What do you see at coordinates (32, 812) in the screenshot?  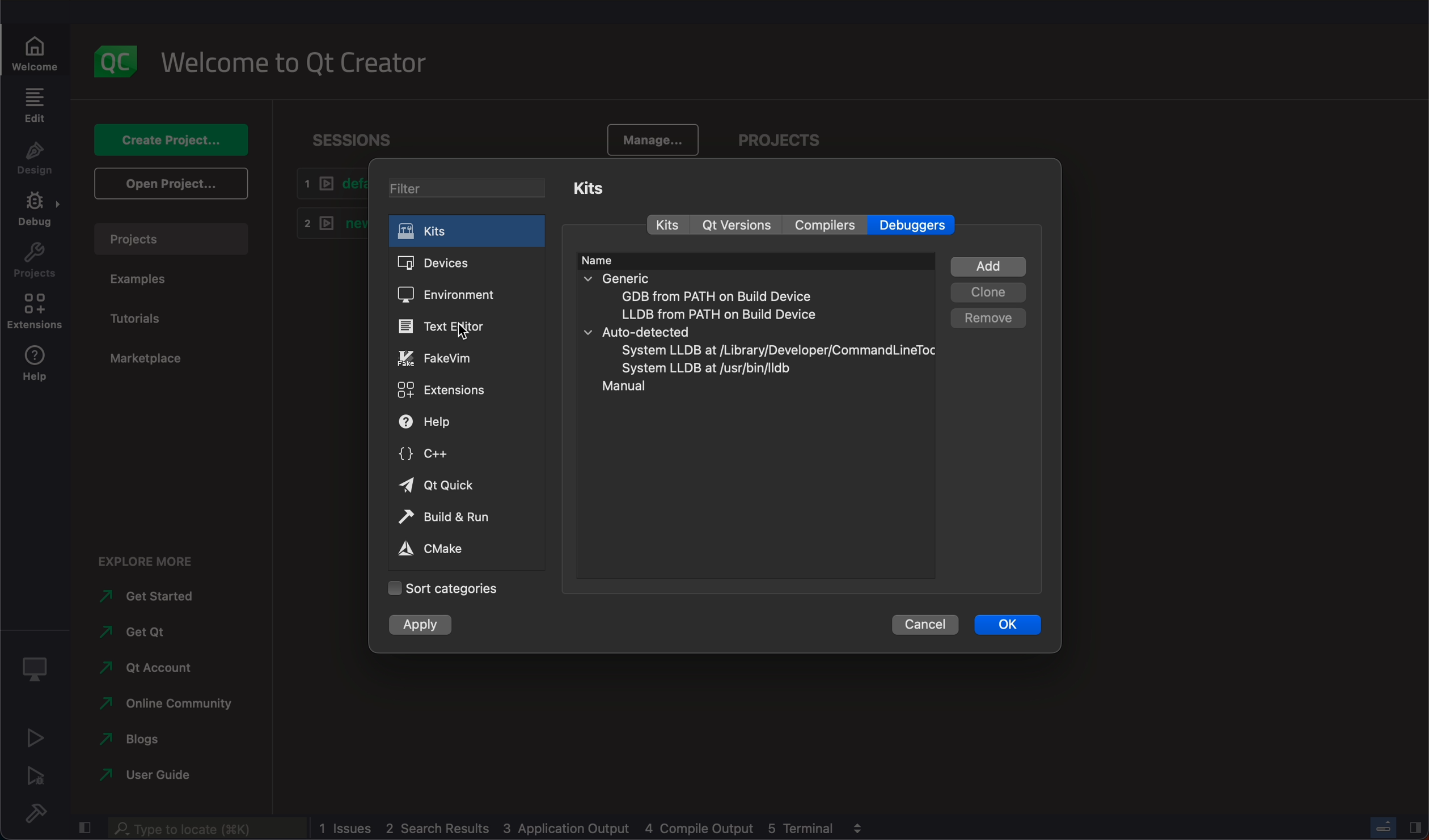 I see `build` at bounding box center [32, 812].